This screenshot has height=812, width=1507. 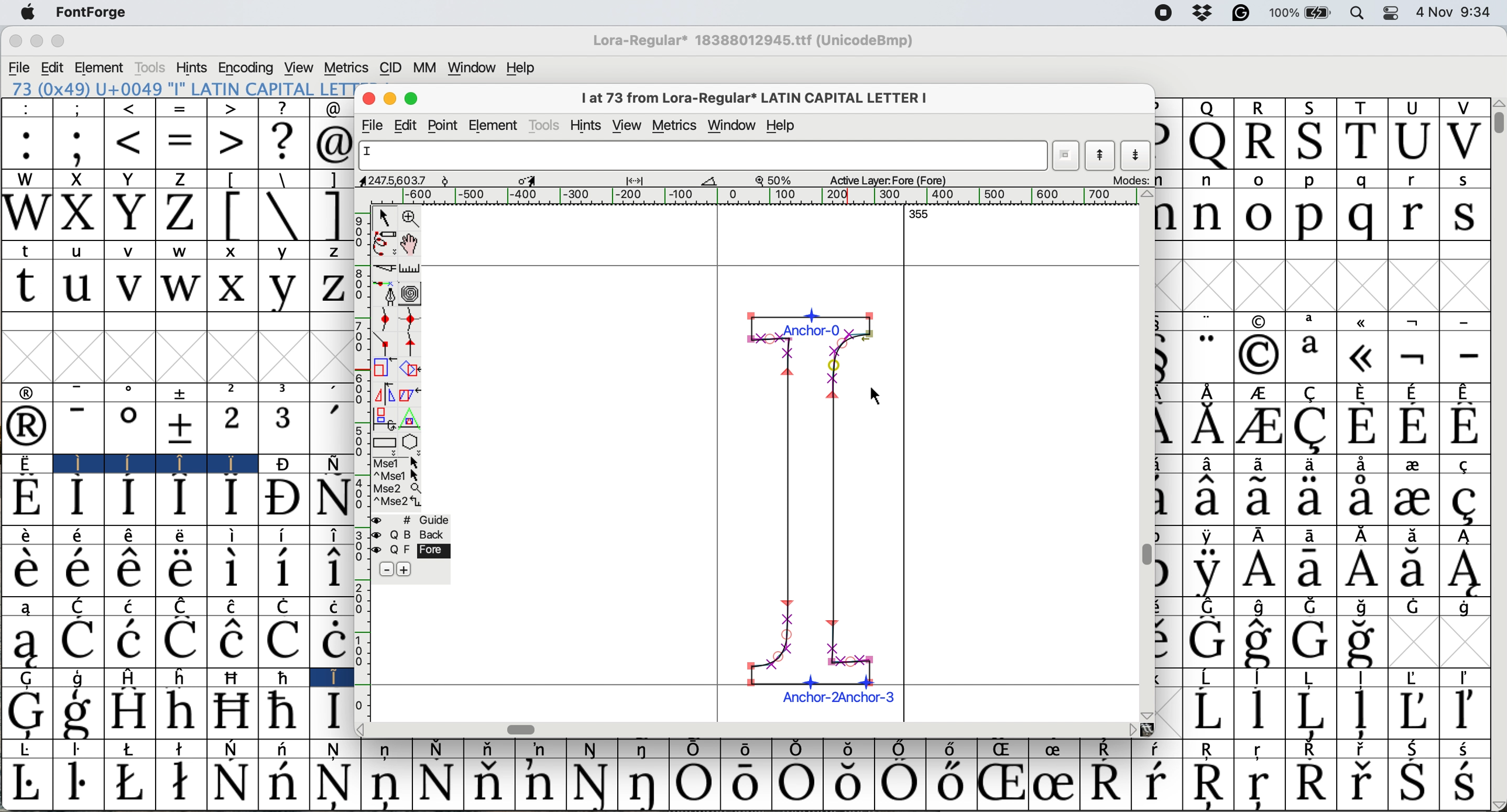 What do you see at coordinates (384, 216) in the screenshot?
I see `selector` at bounding box center [384, 216].